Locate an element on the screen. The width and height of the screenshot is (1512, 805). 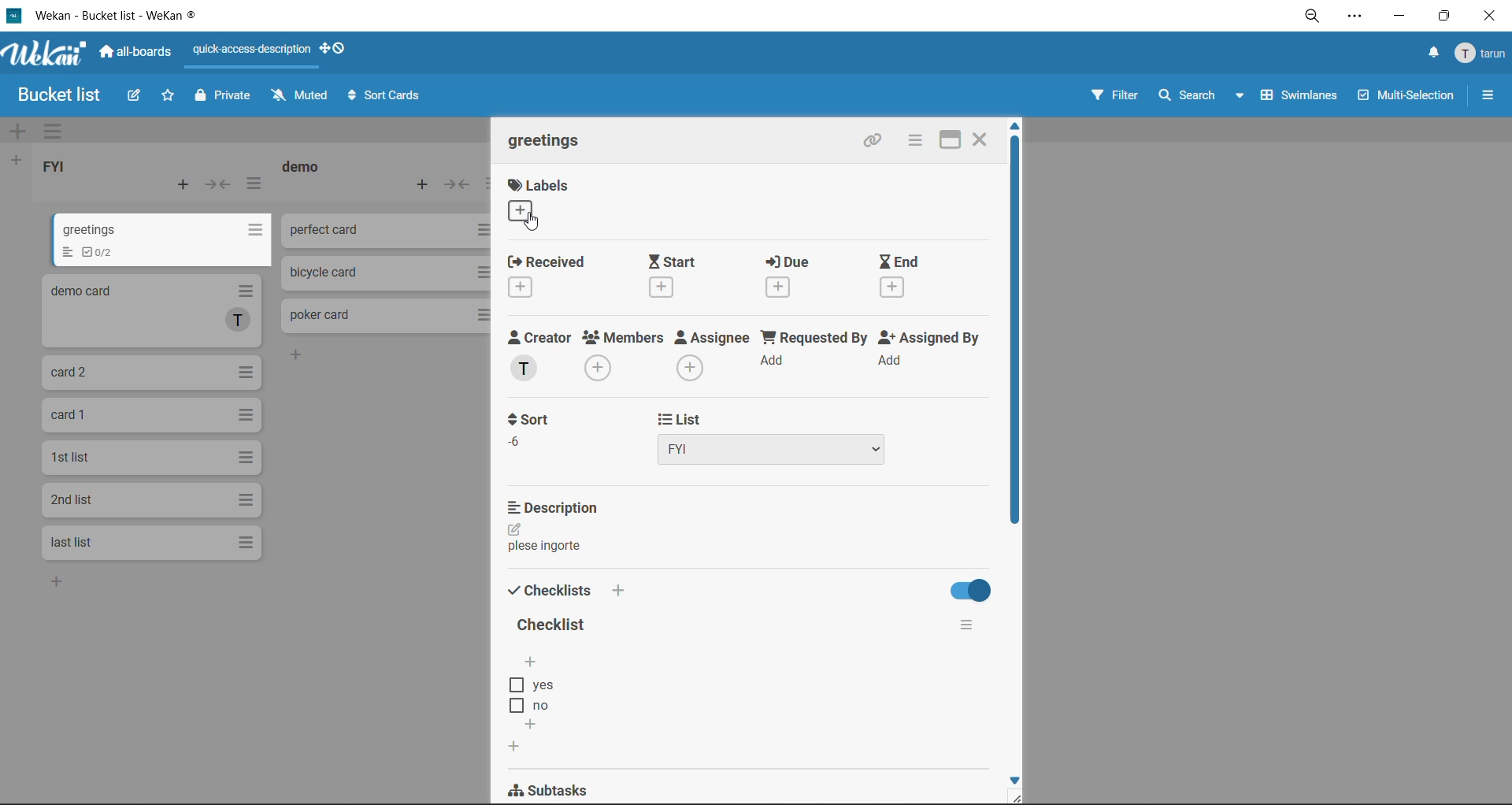
maximize is located at coordinates (1447, 14).